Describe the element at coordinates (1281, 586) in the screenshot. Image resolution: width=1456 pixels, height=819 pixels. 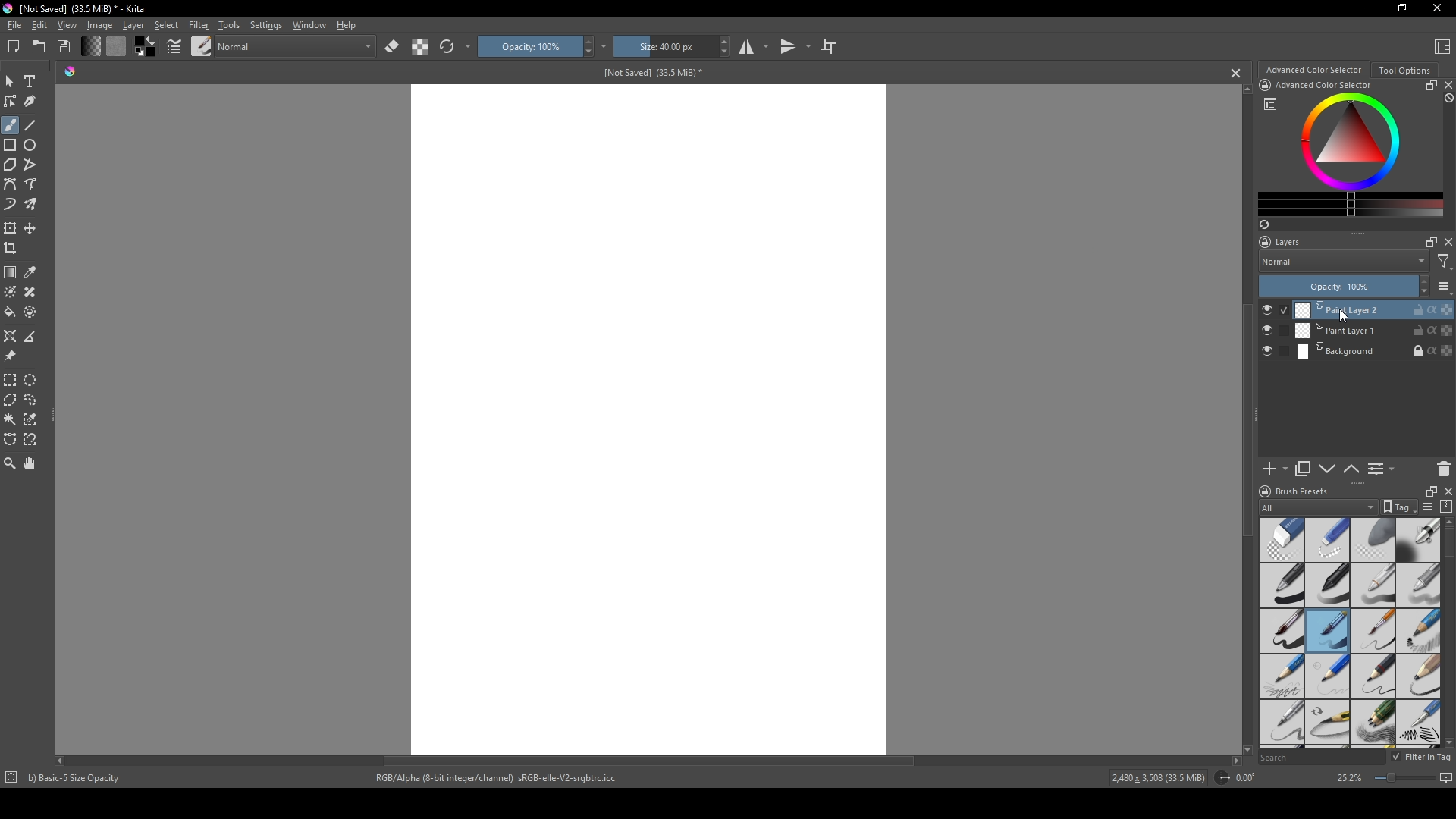
I see `pen` at that location.